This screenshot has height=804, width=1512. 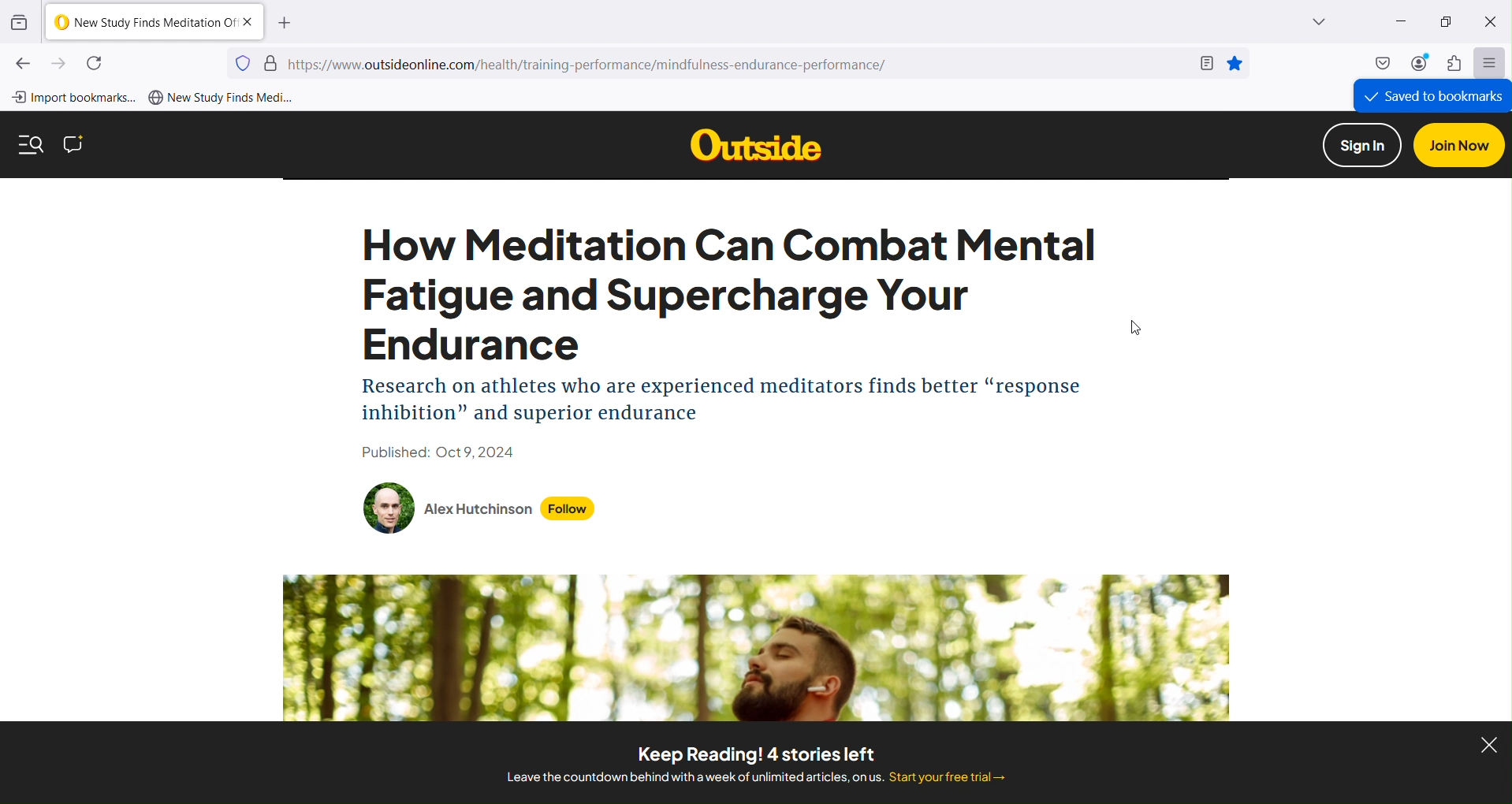 What do you see at coordinates (285, 22) in the screenshot?
I see `Open a new tab` at bounding box center [285, 22].